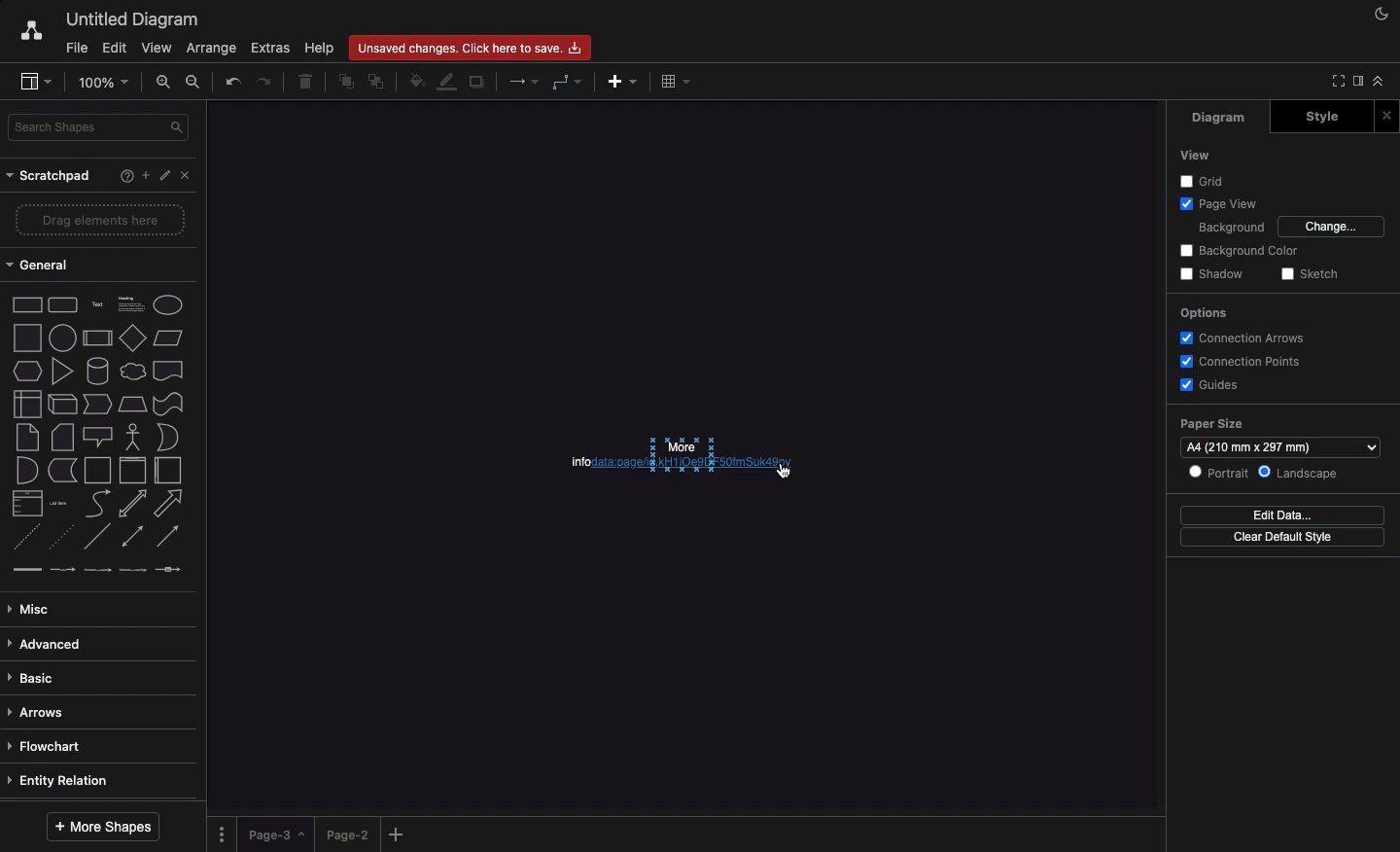  Describe the element at coordinates (271, 48) in the screenshot. I see `Extras` at that location.